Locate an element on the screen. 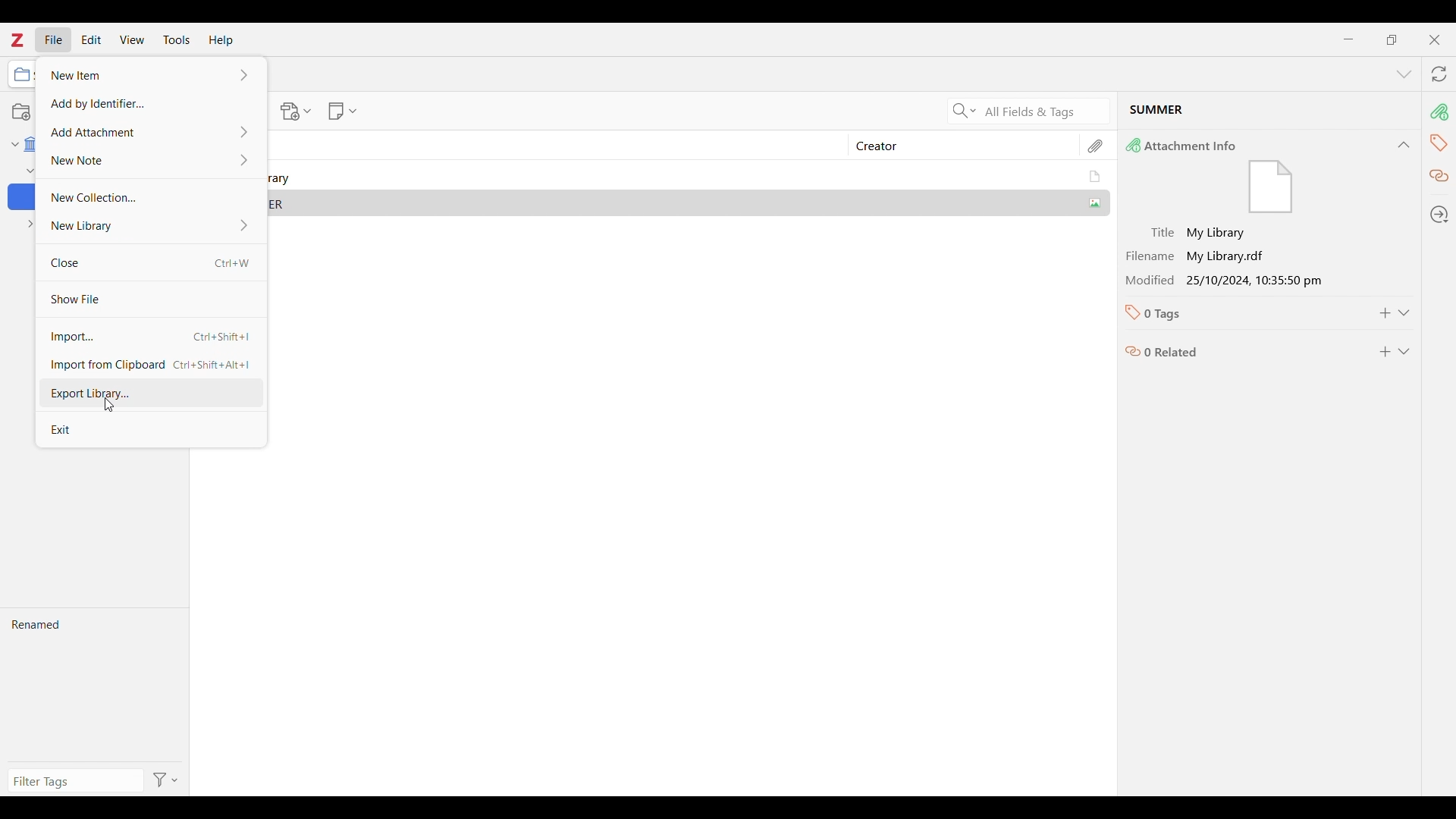  Tools menu is located at coordinates (177, 39).